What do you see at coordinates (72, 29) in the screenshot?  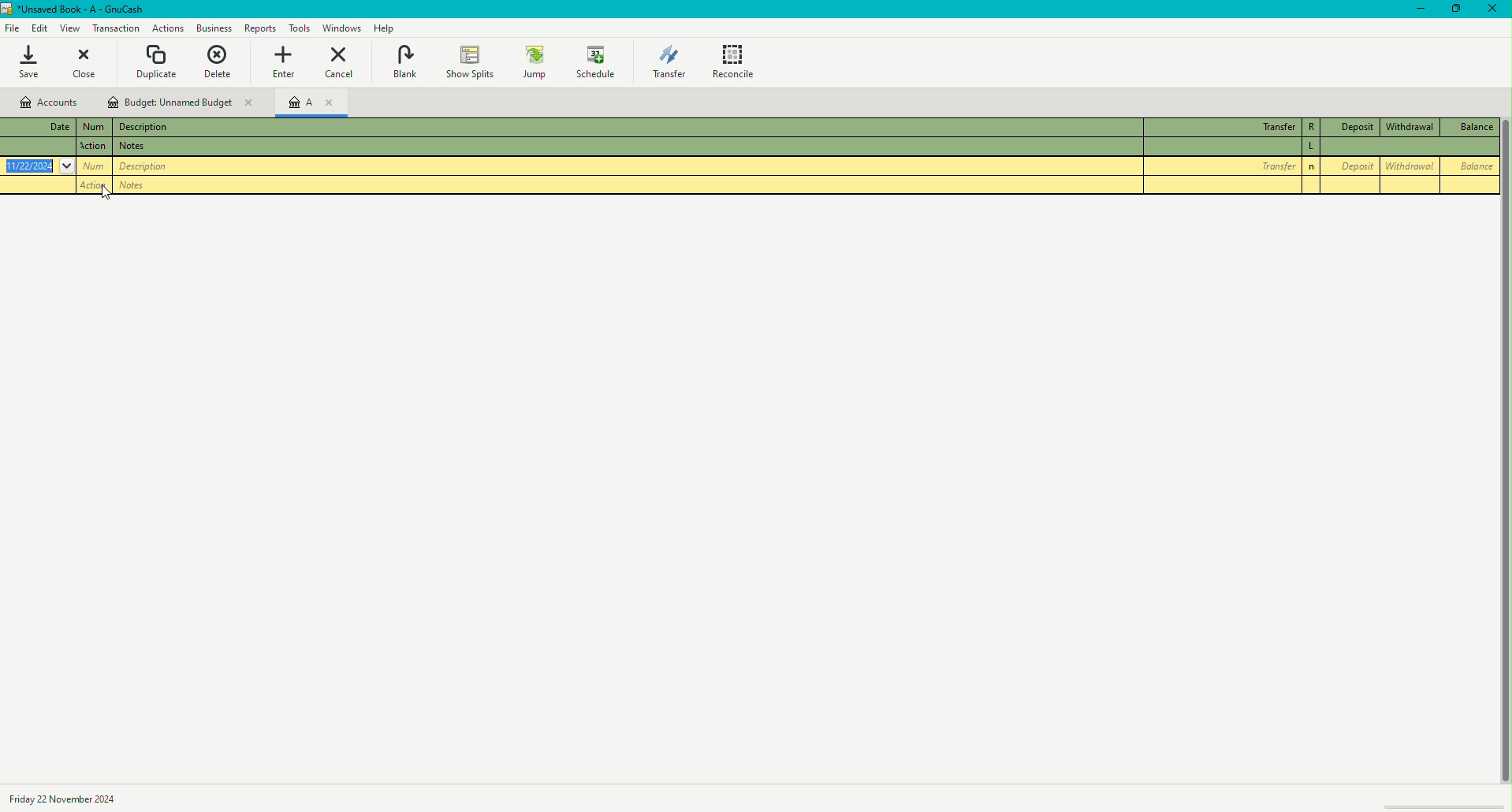 I see `View` at bounding box center [72, 29].